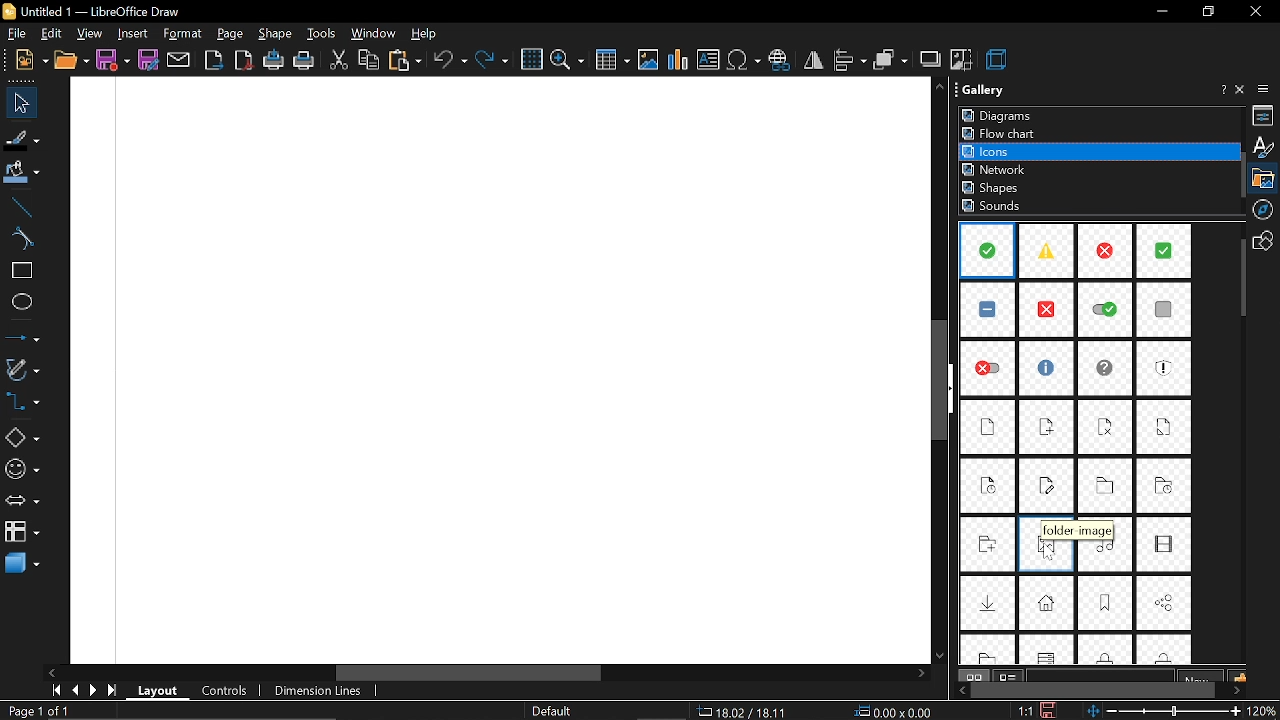 The height and width of the screenshot is (720, 1280). I want to click on crop, so click(962, 62).